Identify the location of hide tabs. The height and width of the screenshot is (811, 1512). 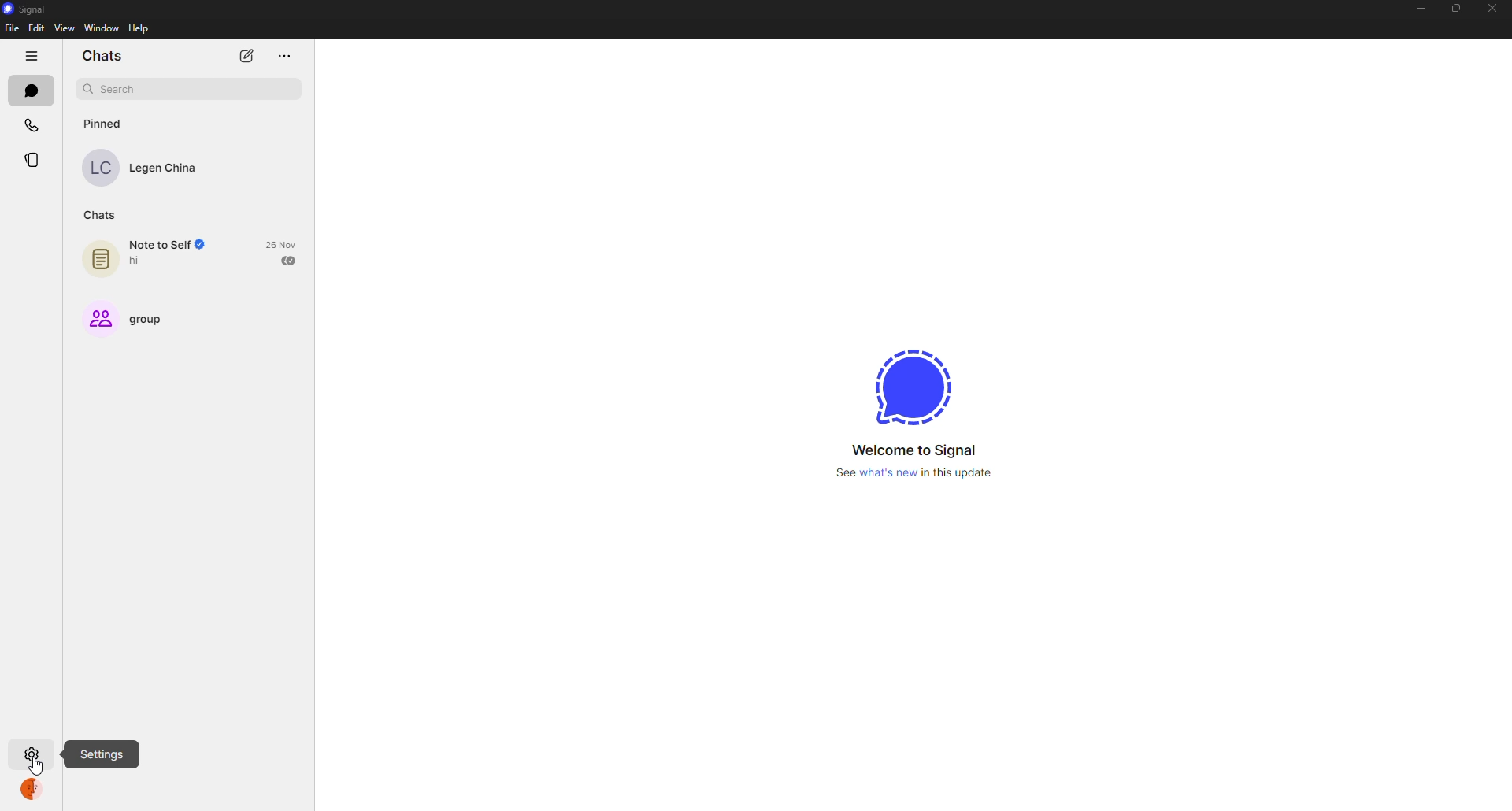
(29, 55).